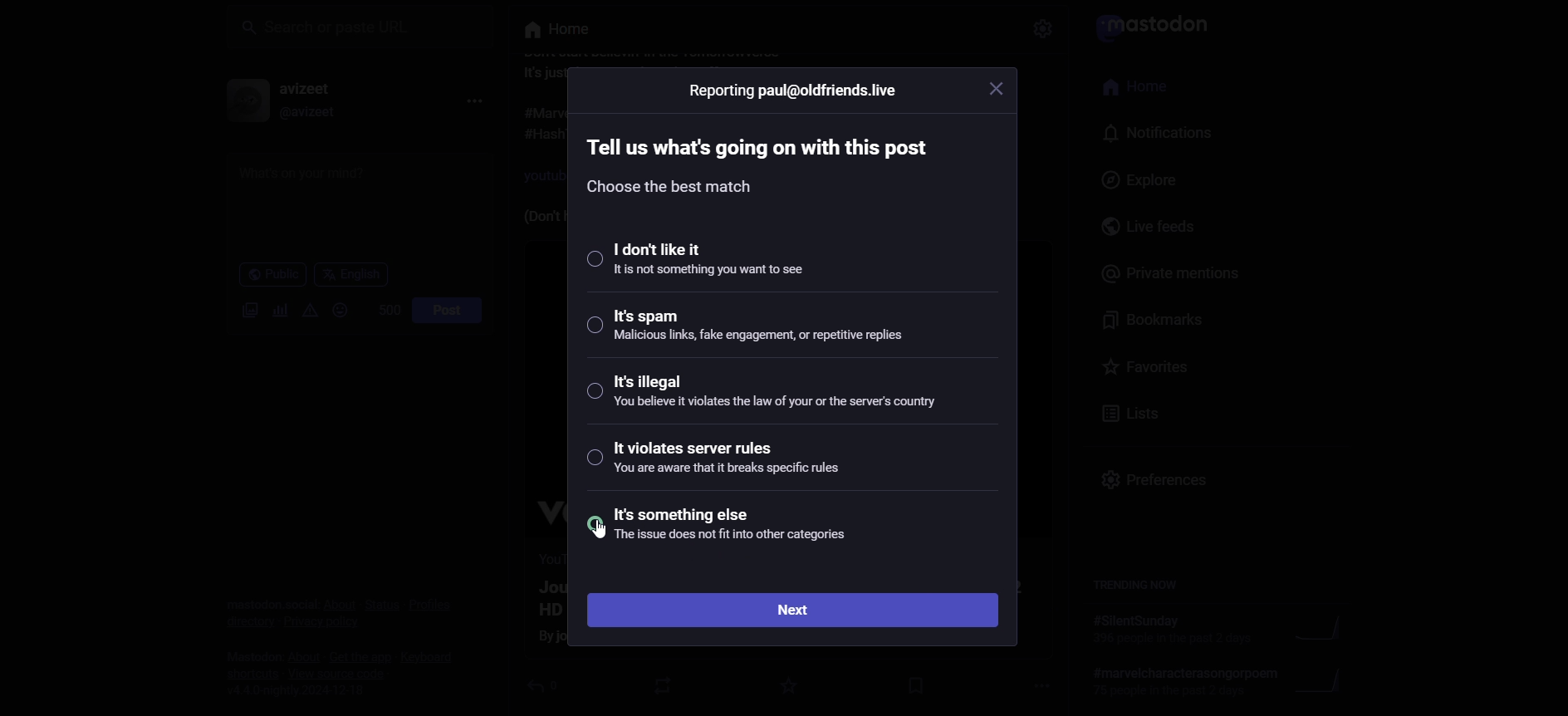  Describe the element at coordinates (1154, 228) in the screenshot. I see `live feeds` at that location.